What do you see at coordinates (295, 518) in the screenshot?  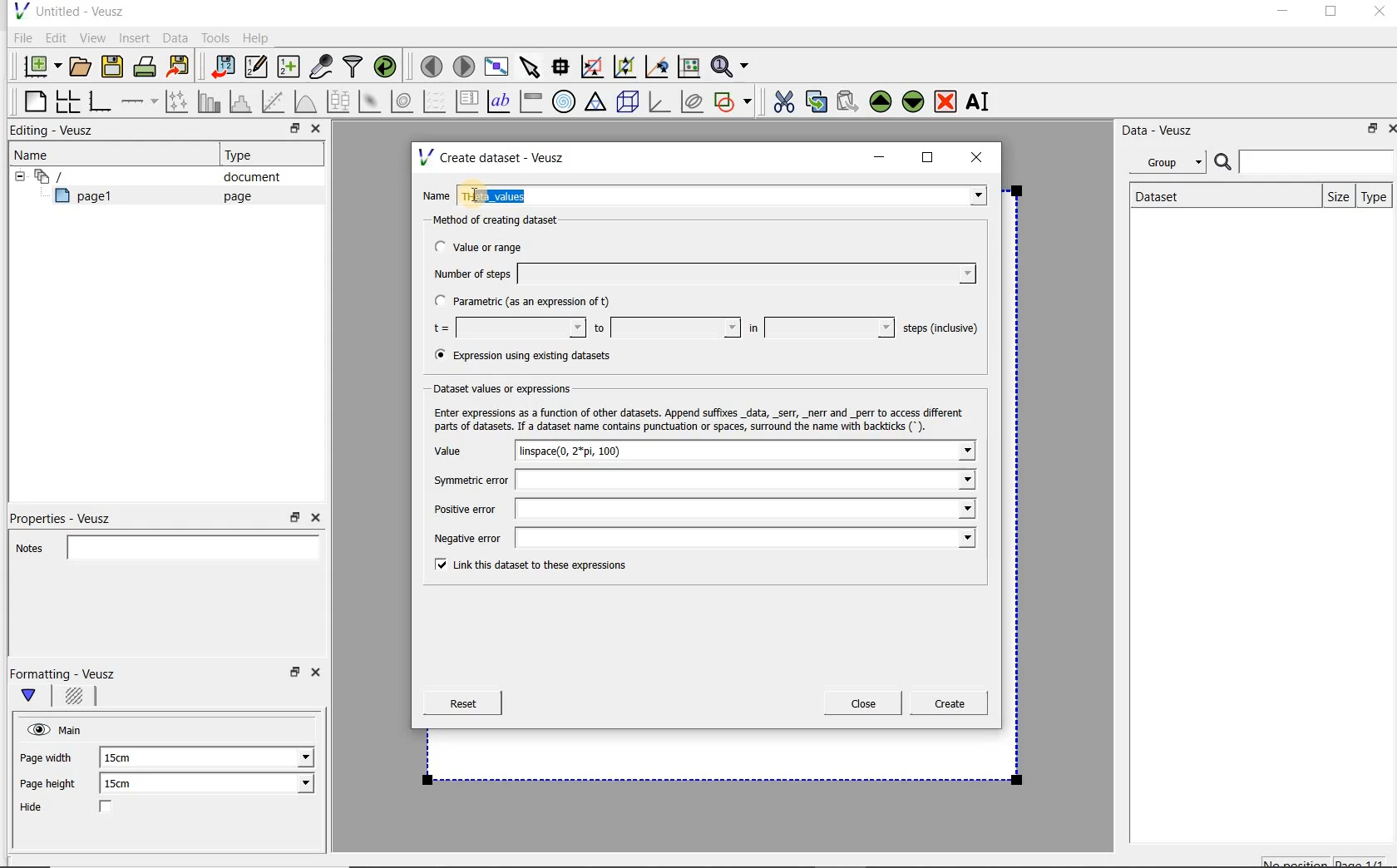 I see `restore down` at bounding box center [295, 518].